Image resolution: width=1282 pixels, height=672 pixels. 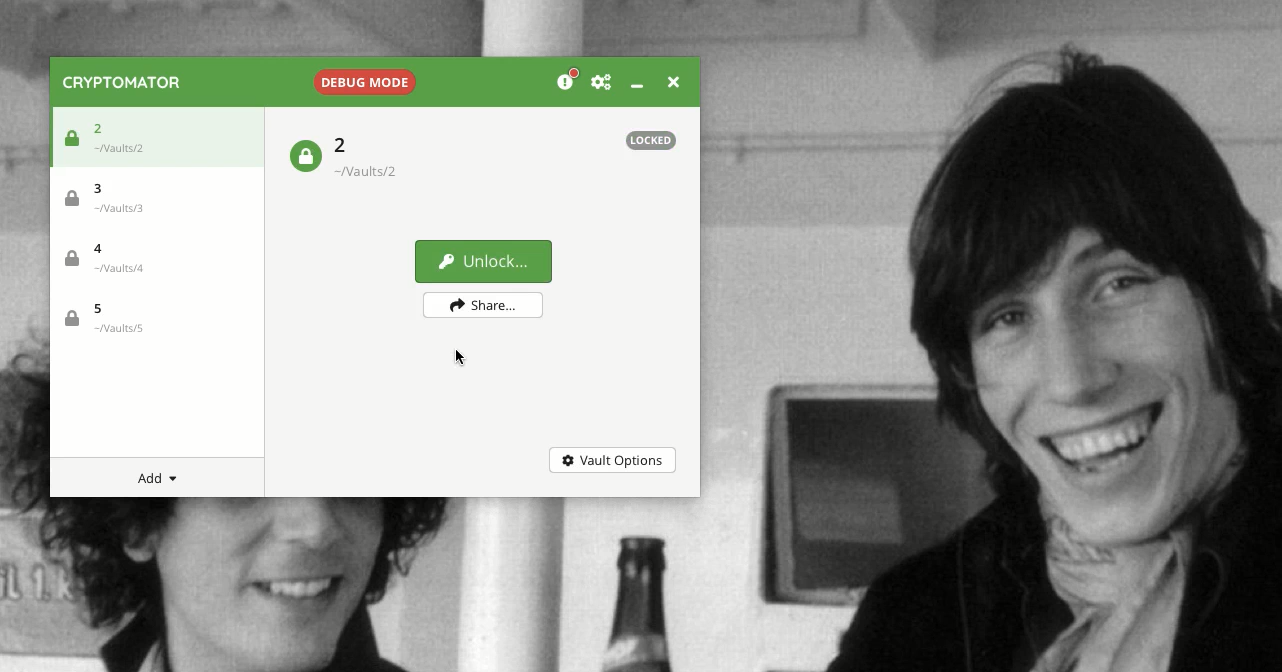 I want to click on Close, so click(x=671, y=80).